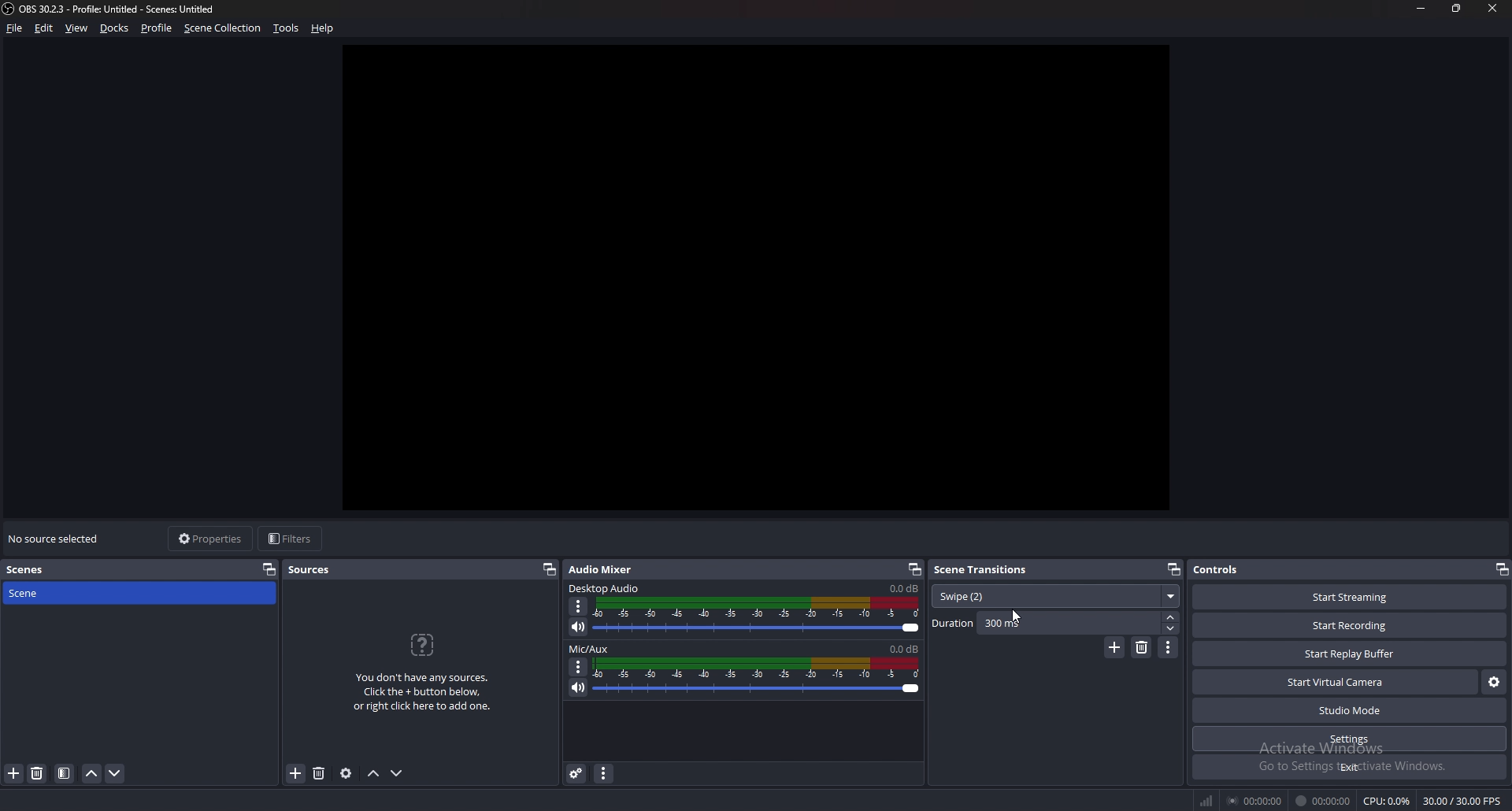  I want to click on stream duration, so click(1256, 800).